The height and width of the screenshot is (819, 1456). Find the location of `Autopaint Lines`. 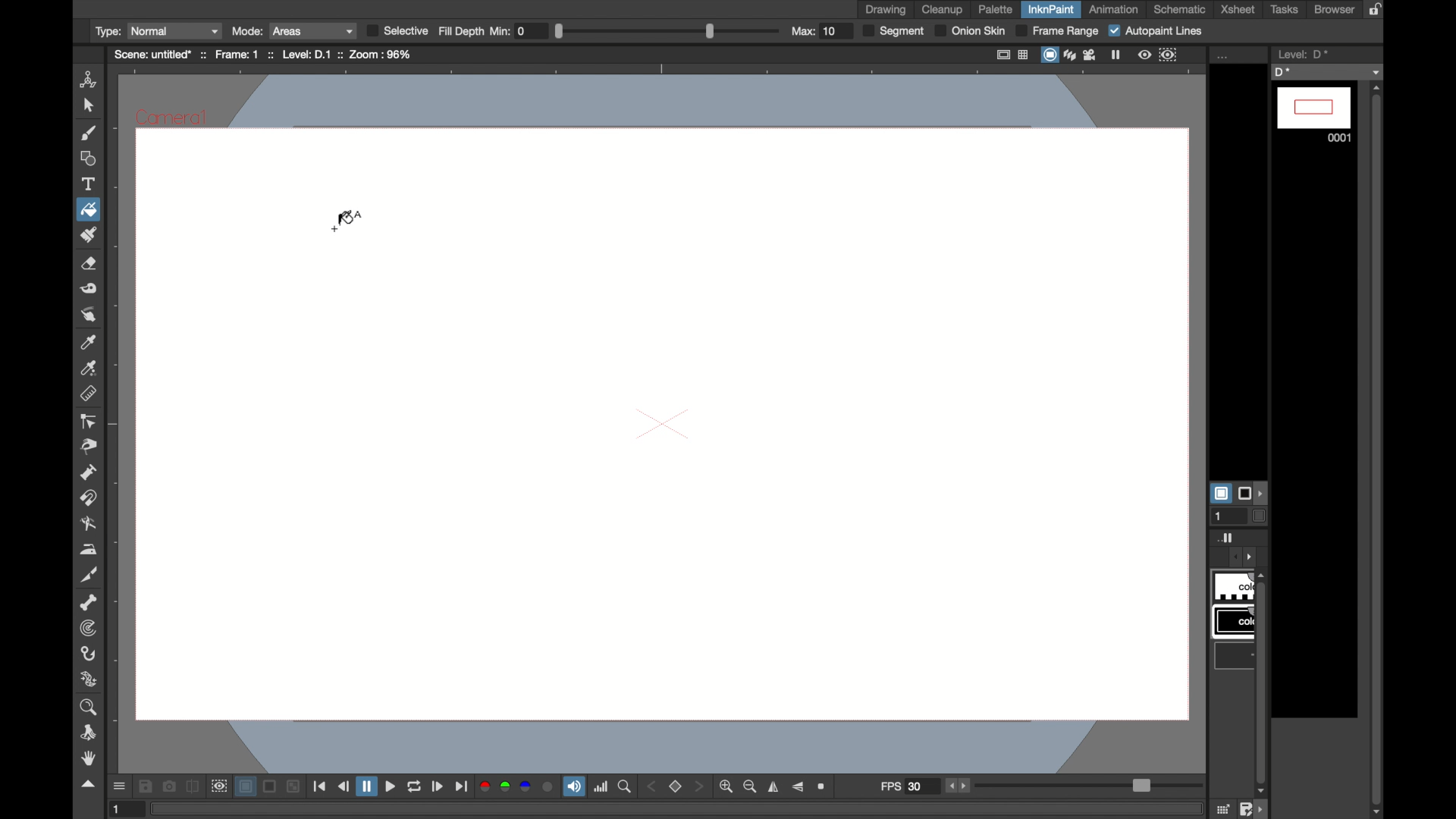

Autopaint Lines is located at coordinates (1159, 32).